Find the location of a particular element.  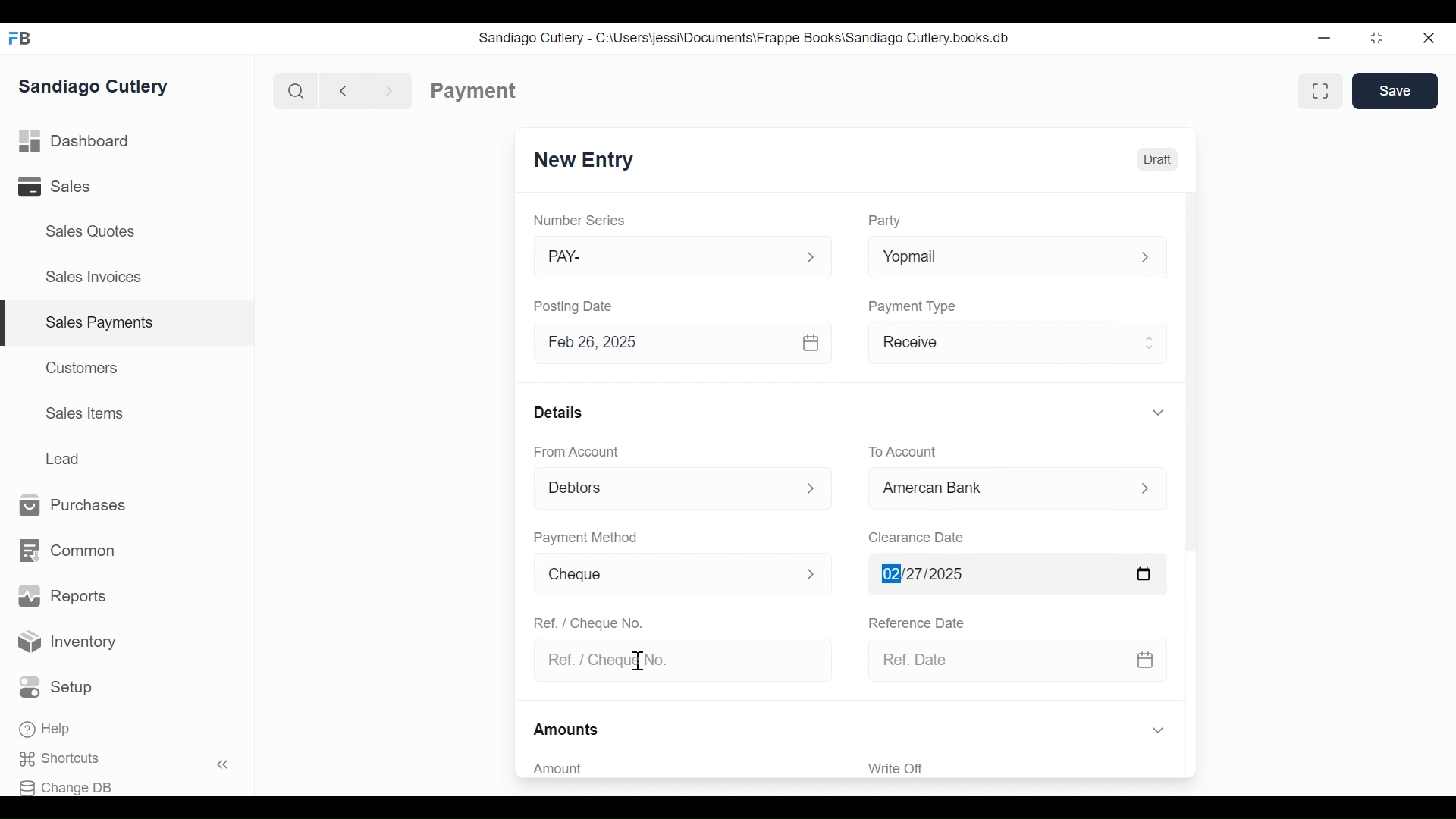

PAY- is located at coordinates (666, 259).